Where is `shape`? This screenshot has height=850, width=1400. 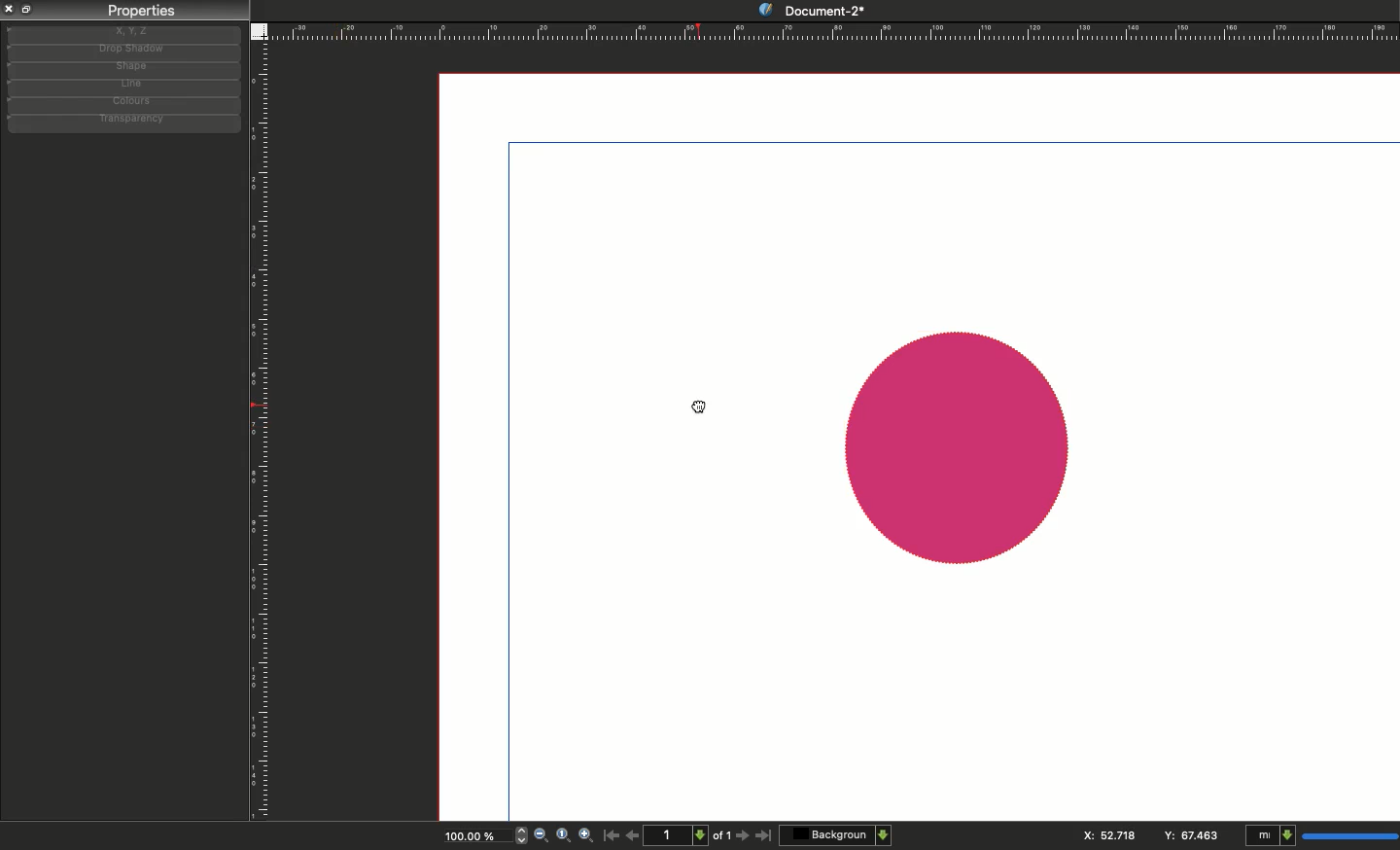 shape is located at coordinates (976, 441).